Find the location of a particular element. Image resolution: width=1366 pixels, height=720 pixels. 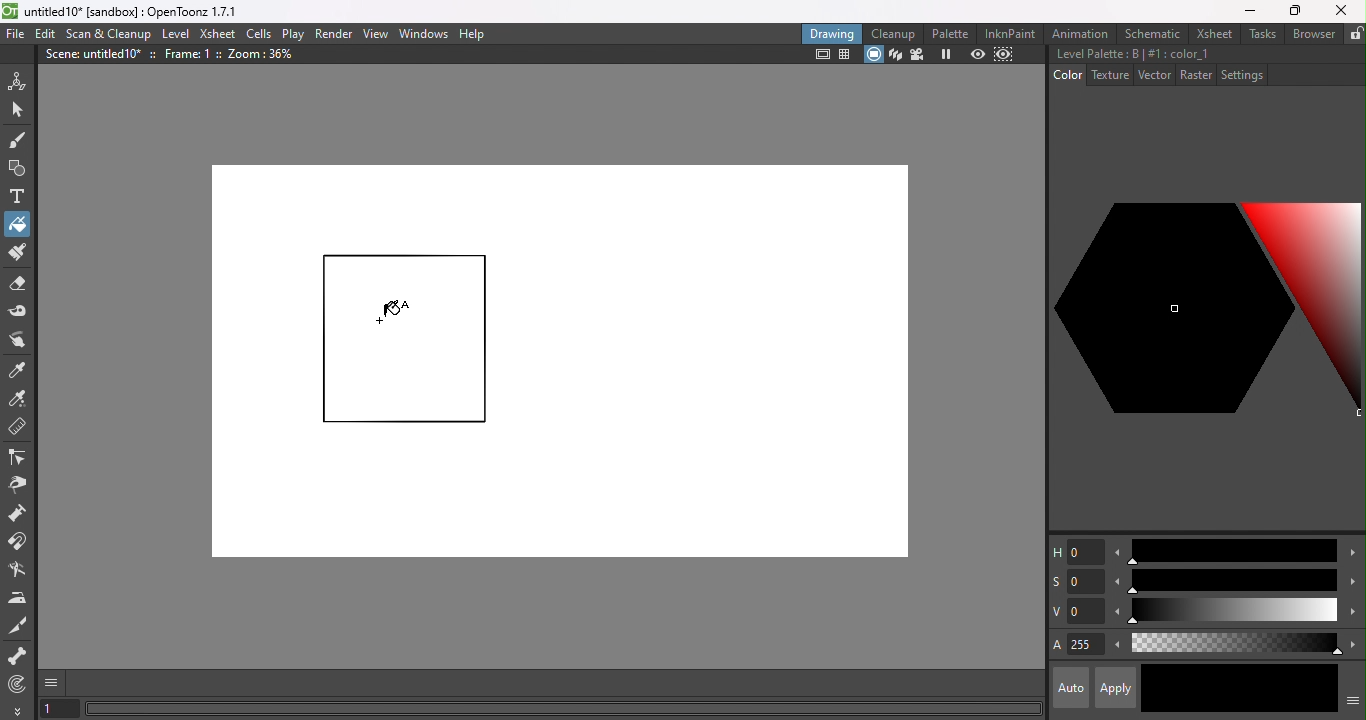

Sub-camera view is located at coordinates (1006, 54).